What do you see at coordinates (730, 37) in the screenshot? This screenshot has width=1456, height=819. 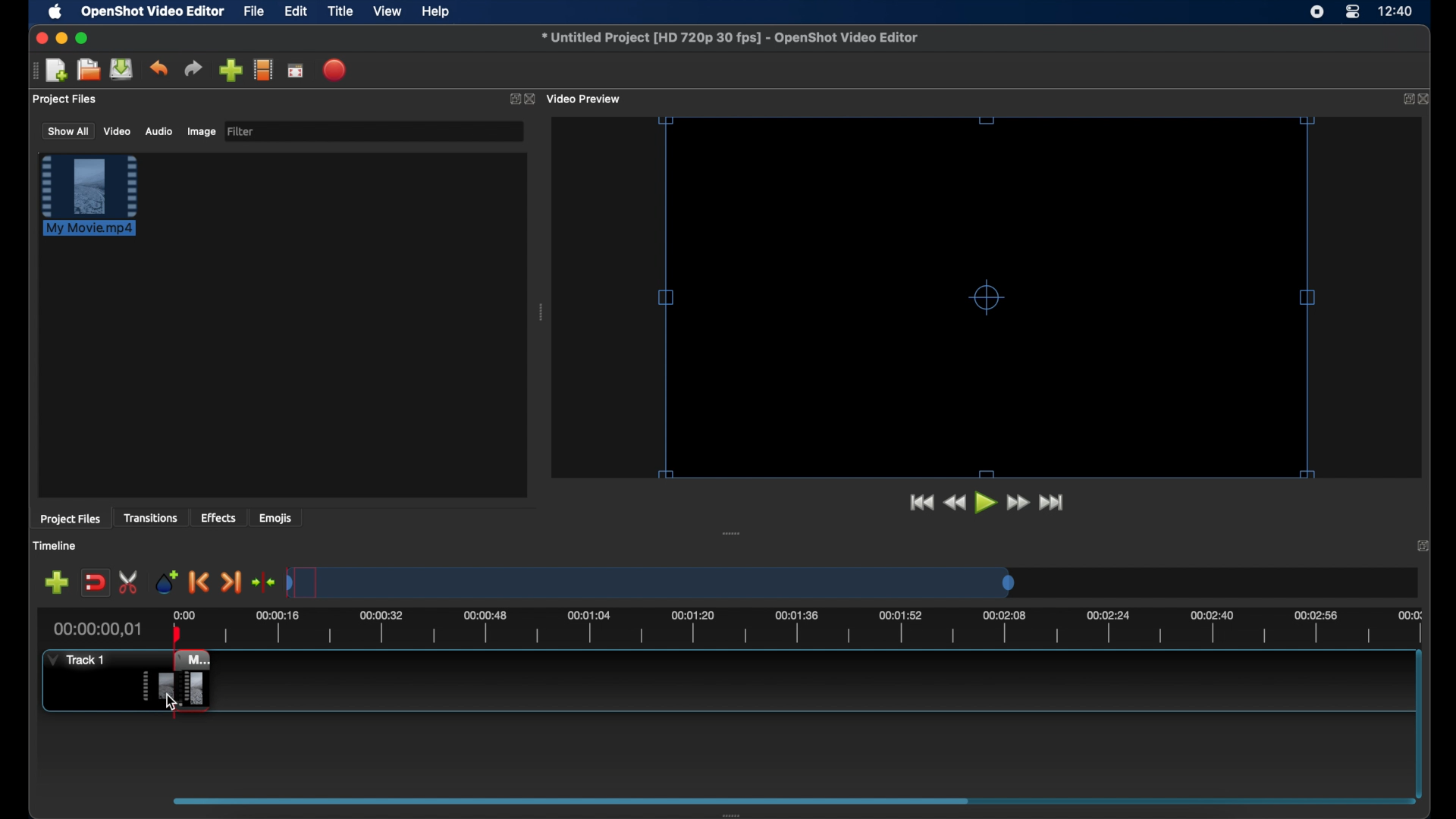 I see `file name` at bounding box center [730, 37].